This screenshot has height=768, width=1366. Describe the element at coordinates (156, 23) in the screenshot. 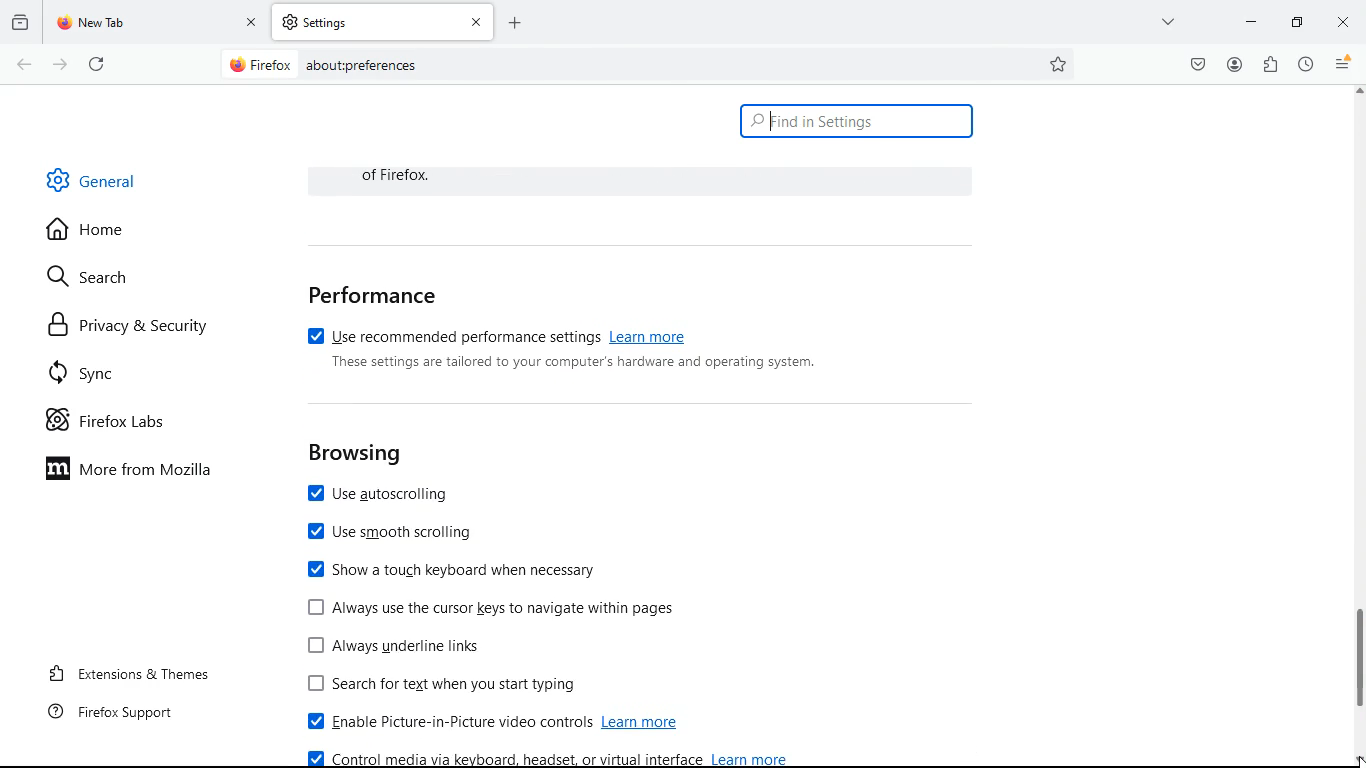

I see `tab` at that location.